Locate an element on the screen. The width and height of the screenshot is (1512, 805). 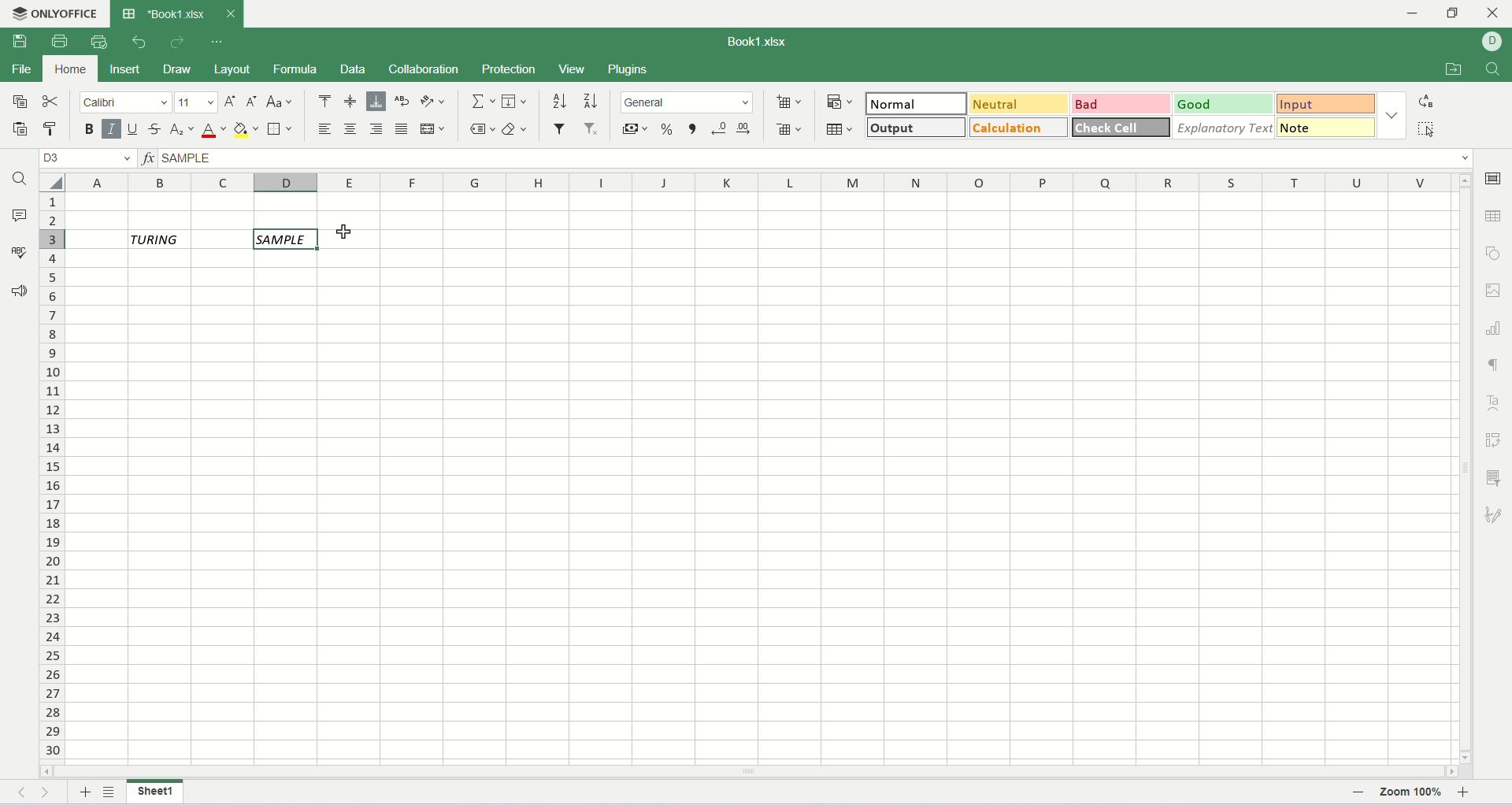
calculation is located at coordinates (1021, 127).